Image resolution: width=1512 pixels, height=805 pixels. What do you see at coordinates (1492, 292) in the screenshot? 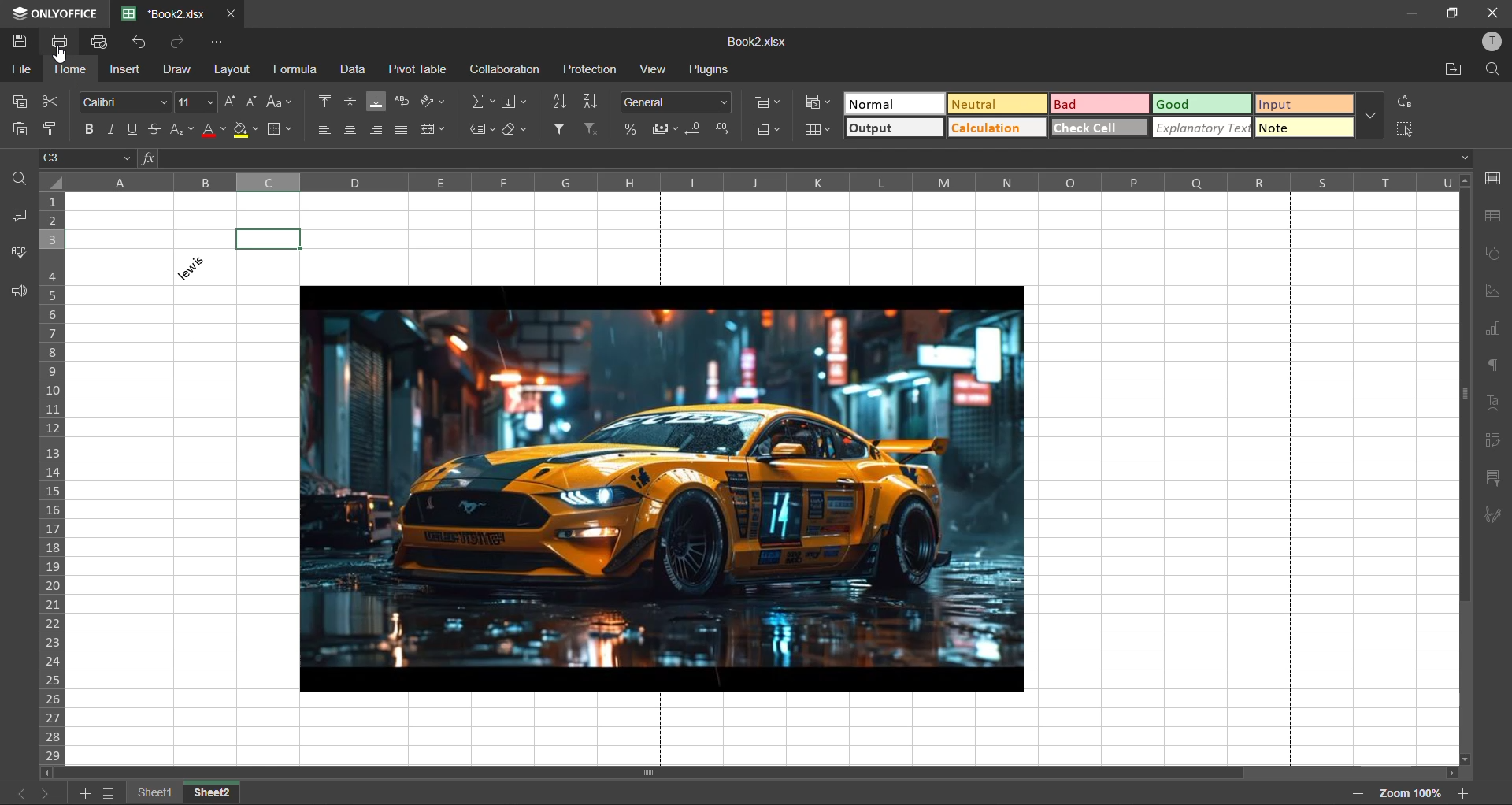
I see `images` at bounding box center [1492, 292].